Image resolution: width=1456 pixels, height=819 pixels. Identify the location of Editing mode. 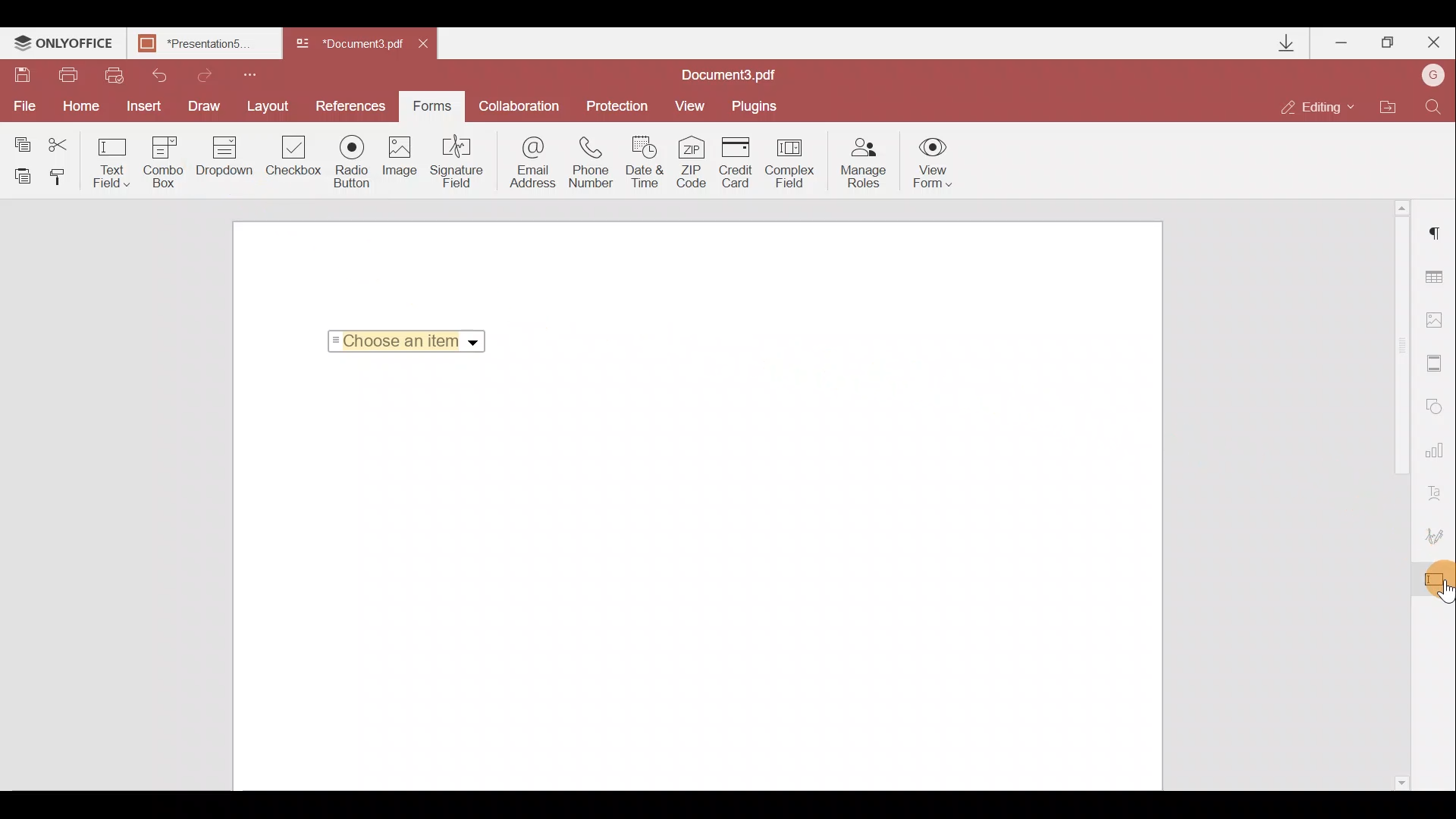
(1319, 108).